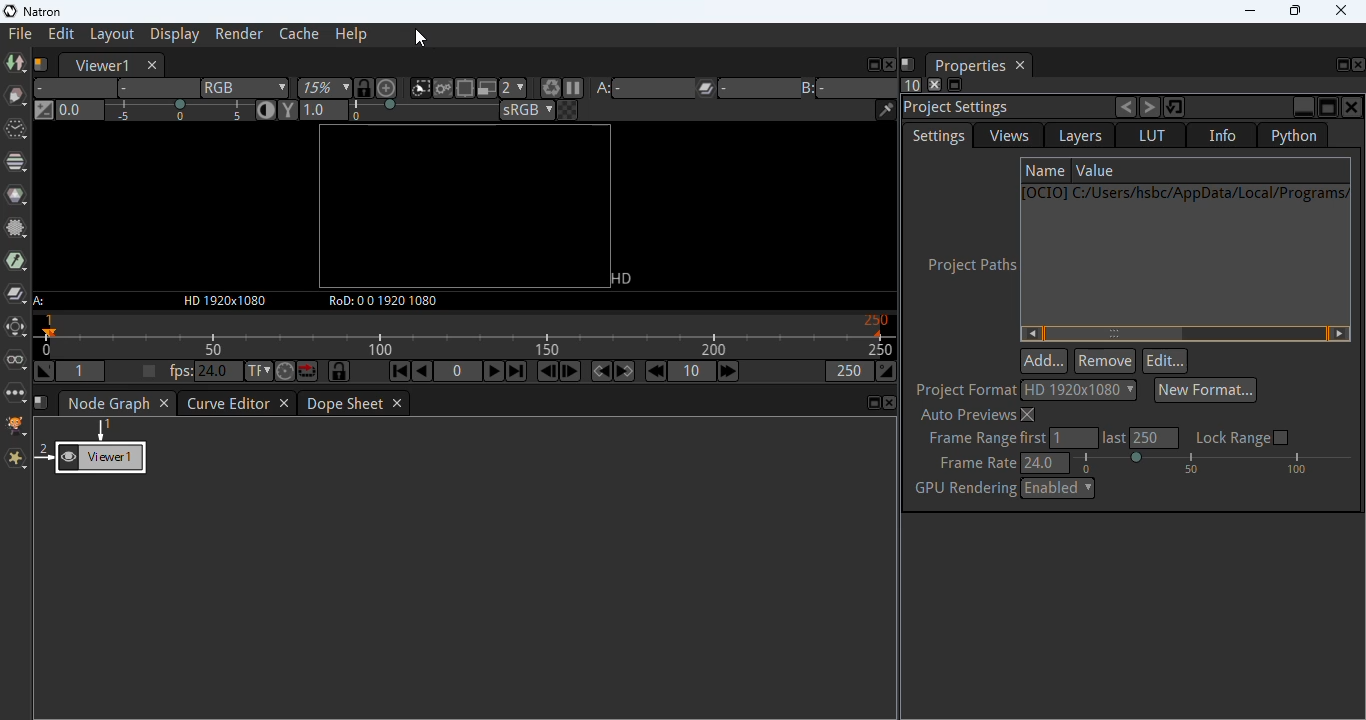 The width and height of the screenshot is (1366, 720). I want to click on Extra, so click(15, 459).